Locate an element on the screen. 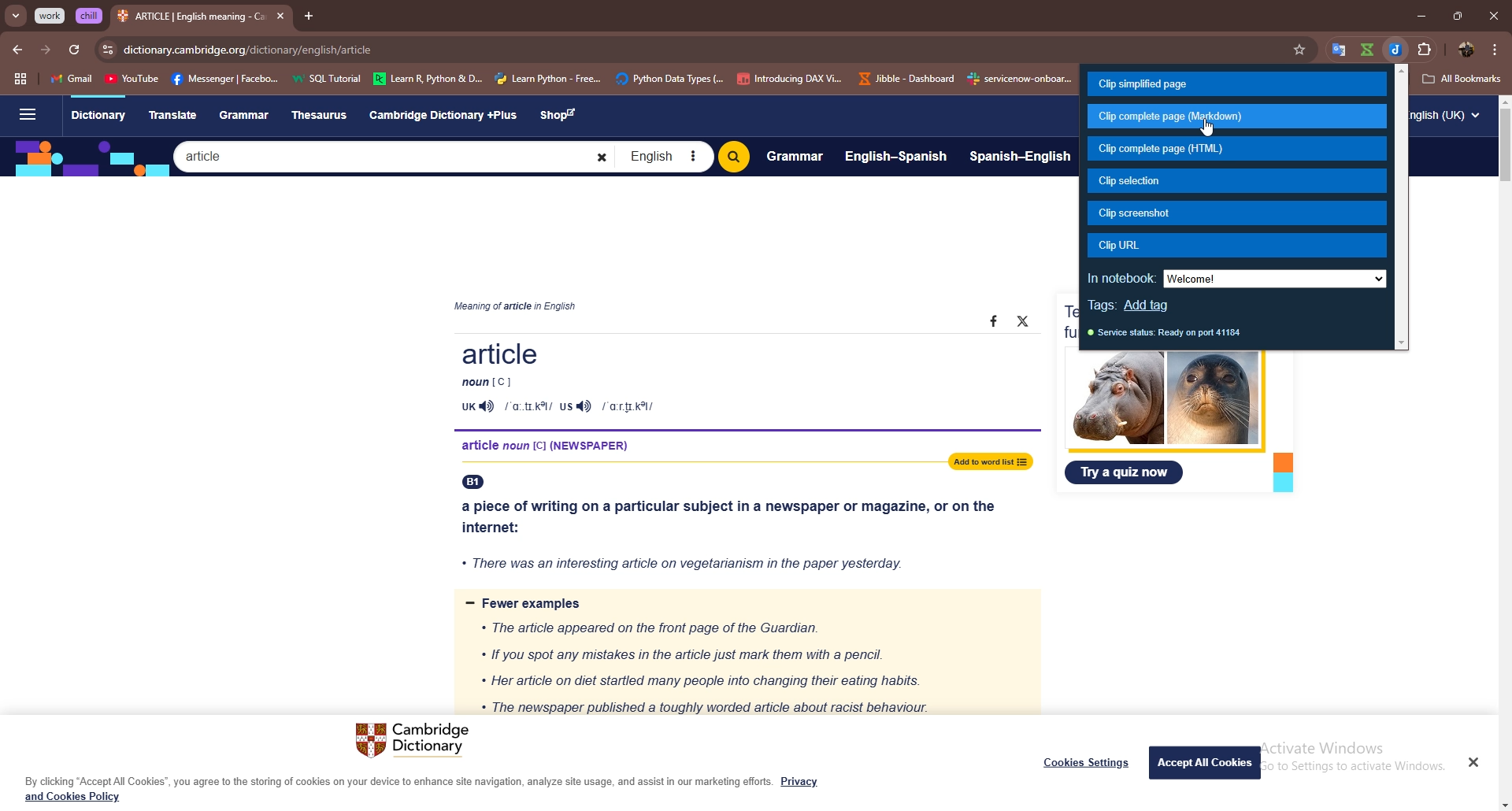 Image resolution: width=1512 pixels, height=811 pixels. Thesaurus. is located at coordinates (324, 116).